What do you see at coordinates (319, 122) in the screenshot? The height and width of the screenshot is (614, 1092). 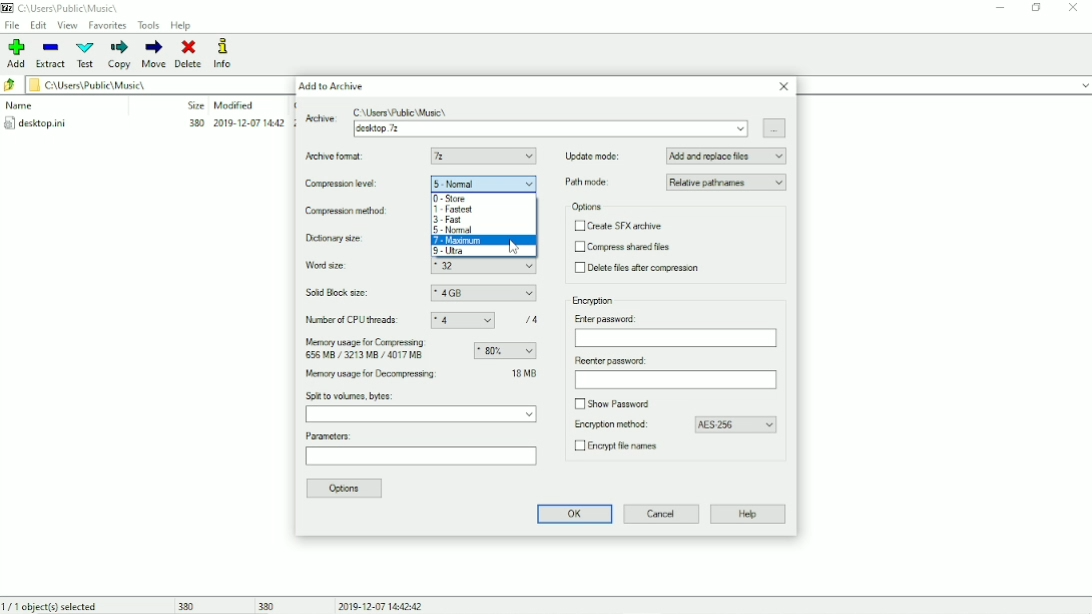 I see `Archive` at bounding box center [319, 122].